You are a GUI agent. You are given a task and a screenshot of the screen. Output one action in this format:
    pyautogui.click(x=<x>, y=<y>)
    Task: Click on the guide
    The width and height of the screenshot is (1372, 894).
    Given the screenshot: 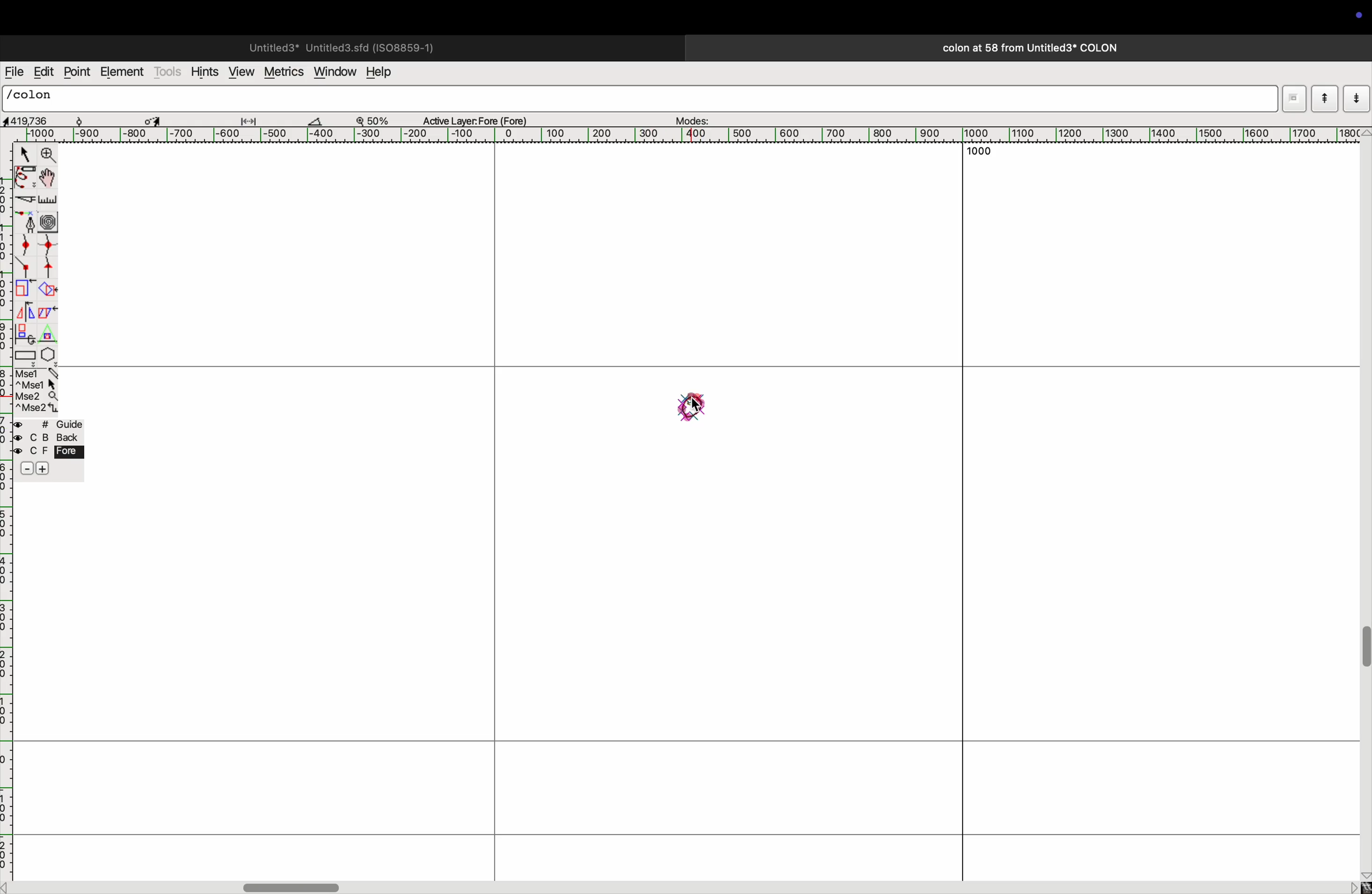 What is the action you would take?
    pyautogui.click(x=52, y=449)
    